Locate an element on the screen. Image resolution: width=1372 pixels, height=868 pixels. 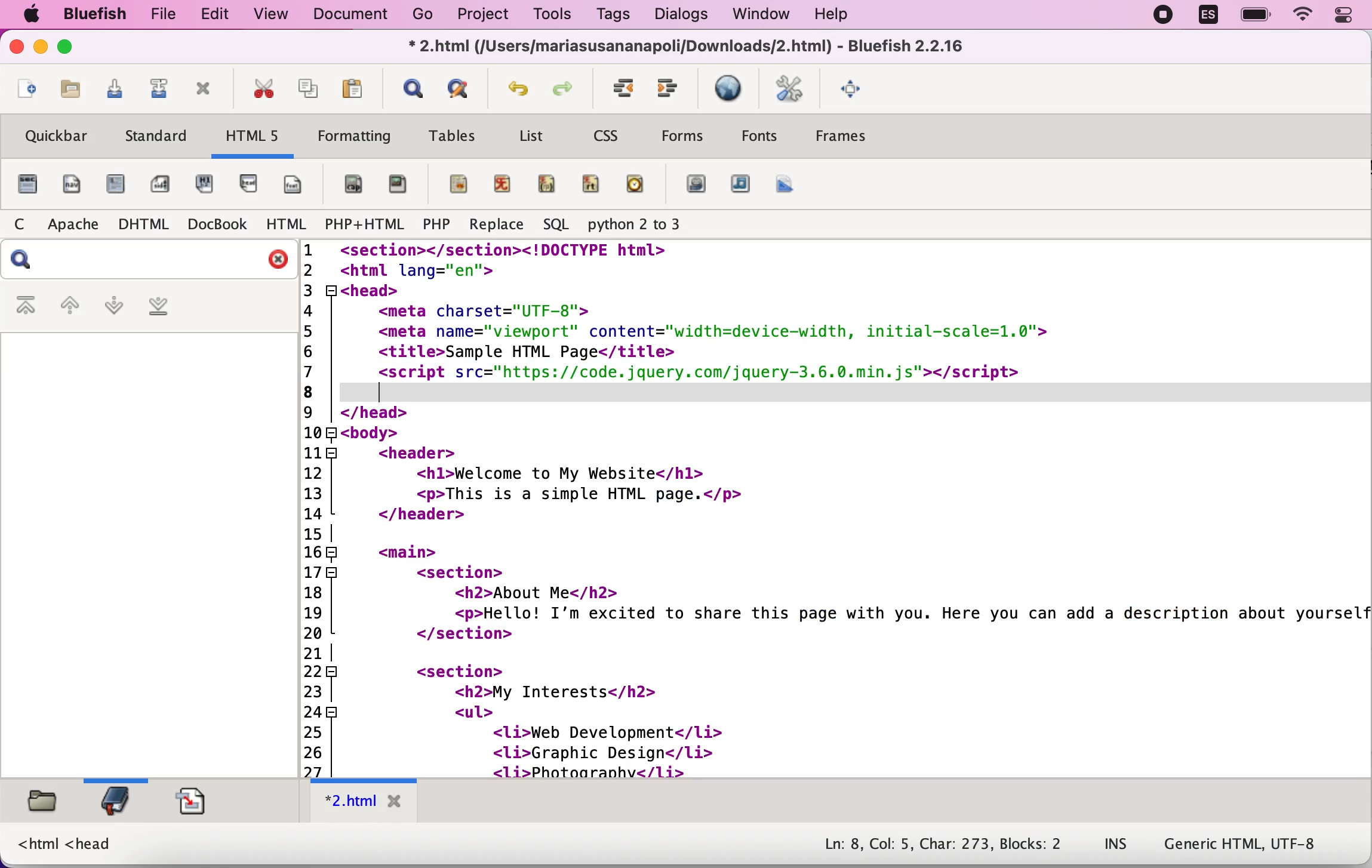
mark is located at coordinates (456, 183).